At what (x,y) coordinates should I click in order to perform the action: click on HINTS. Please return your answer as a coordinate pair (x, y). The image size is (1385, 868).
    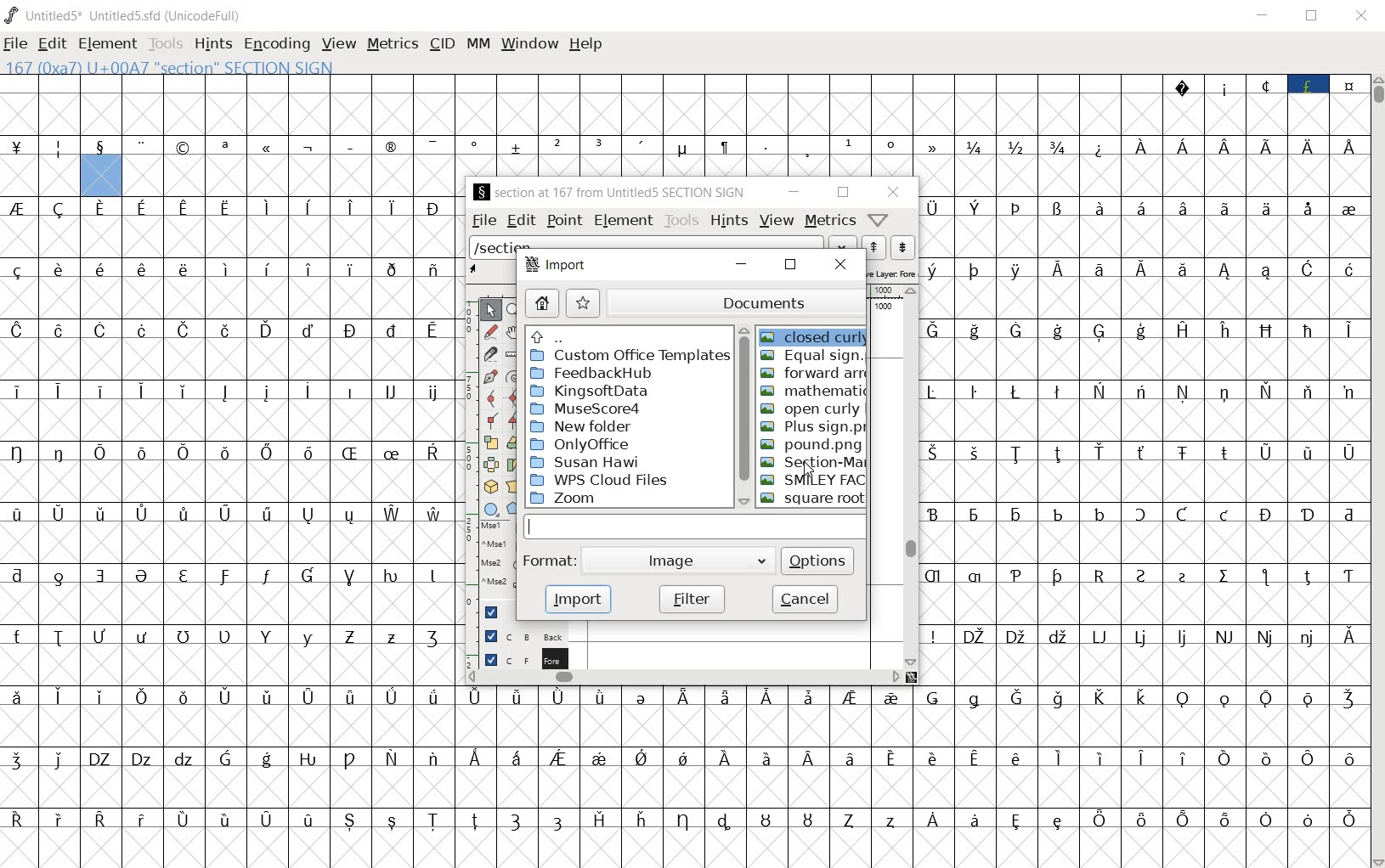
    Looking at the image, I should click on (212, 45).